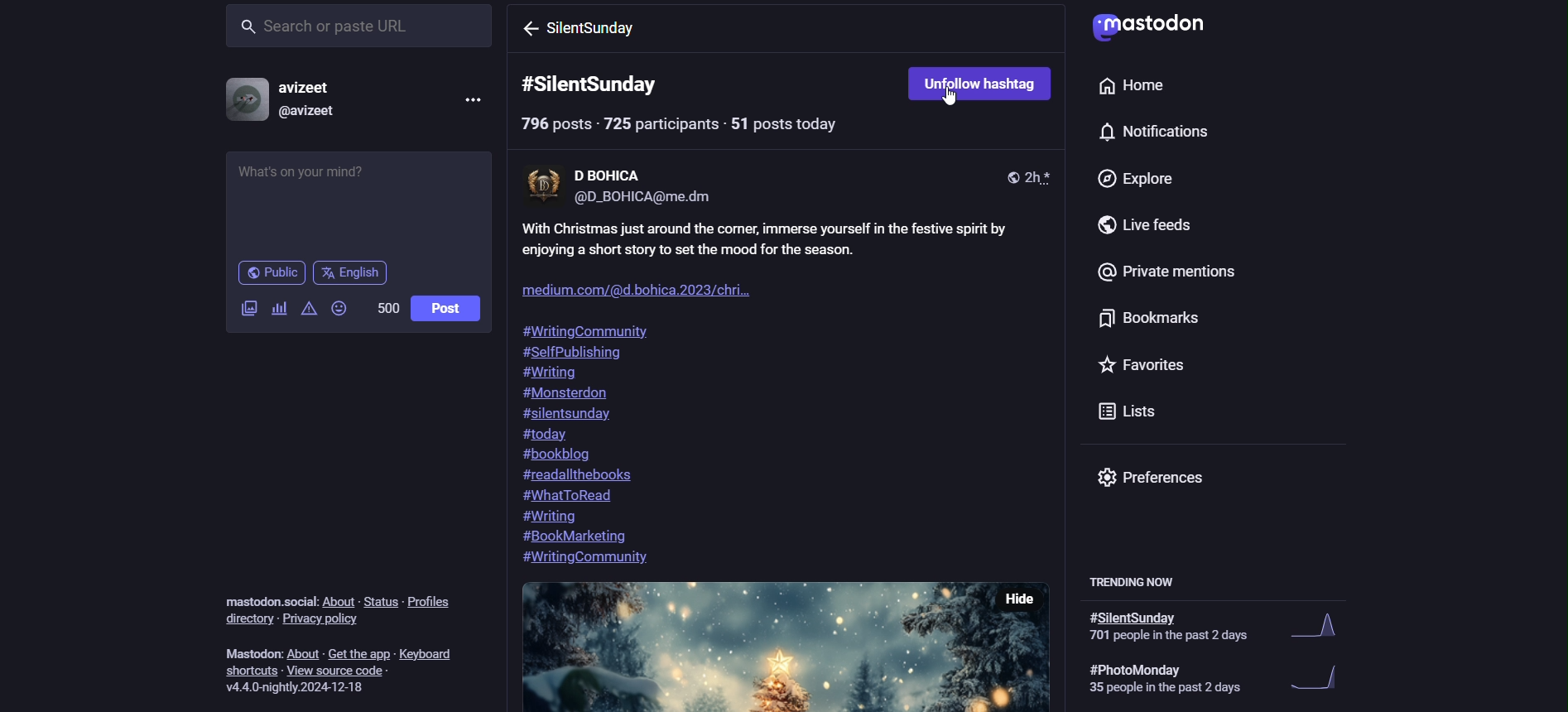 This screenshot has width=1568, height=712. I want to click on #photoMonday 35 people in the past 2 days, so click(1239, 676).